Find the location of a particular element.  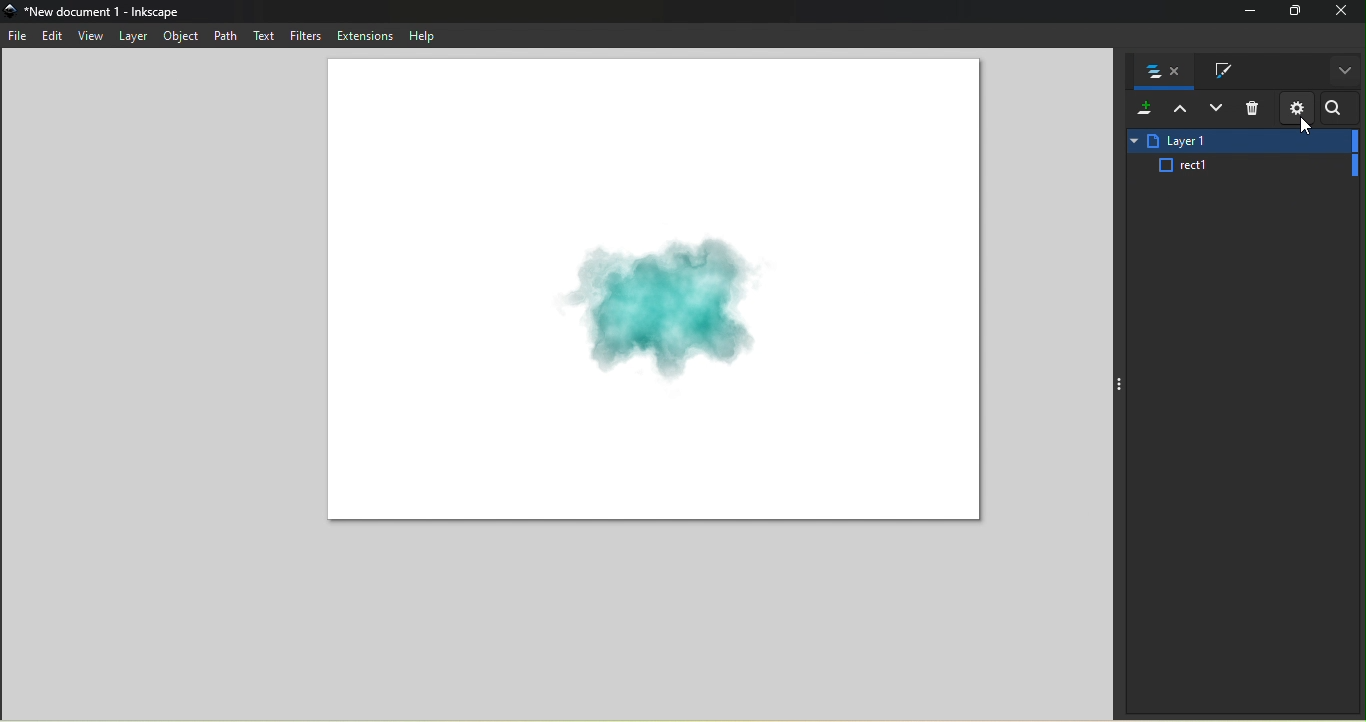

Layer is located at coordinates (1239, 140).